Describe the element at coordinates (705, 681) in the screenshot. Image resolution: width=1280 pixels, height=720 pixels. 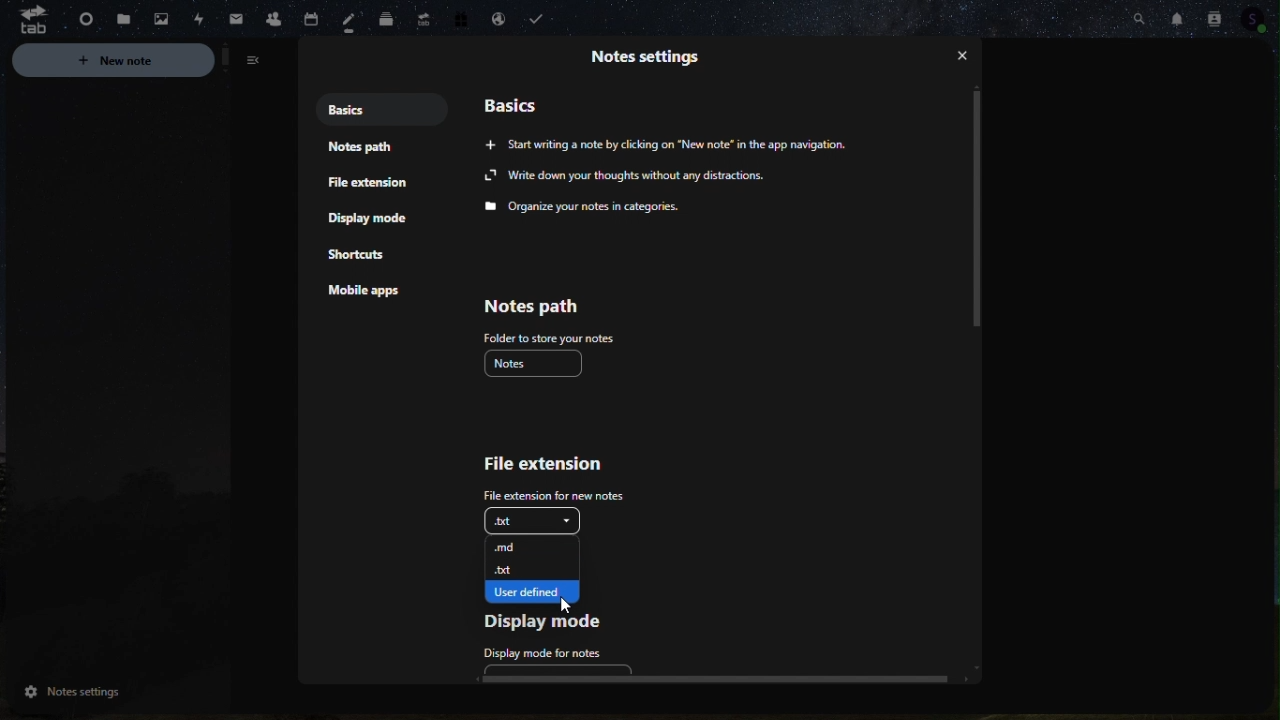
I see `horizontal scroll bar` at that location.